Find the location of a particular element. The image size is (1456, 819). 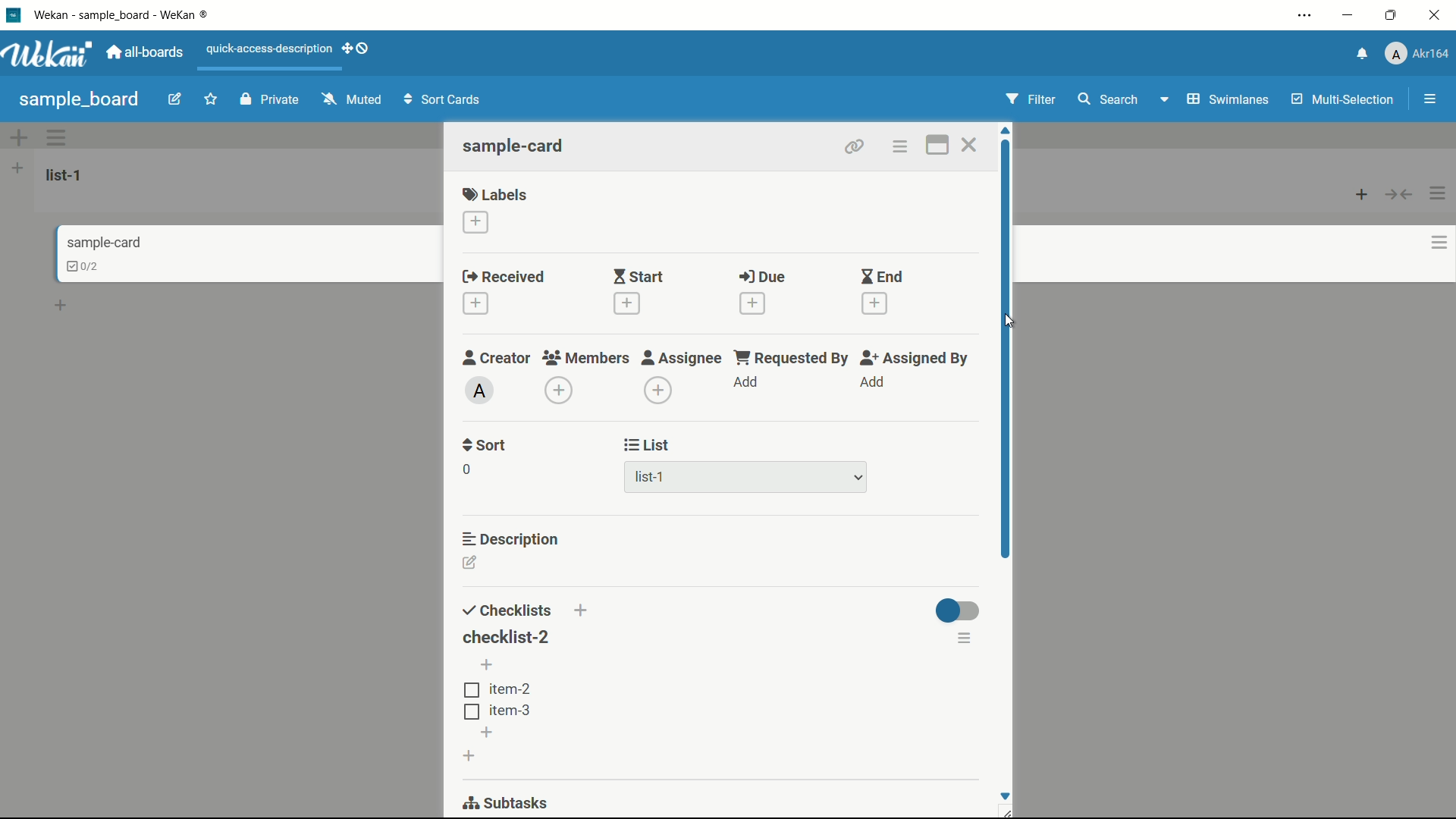

maximize is located at coordinates (1392, 14).